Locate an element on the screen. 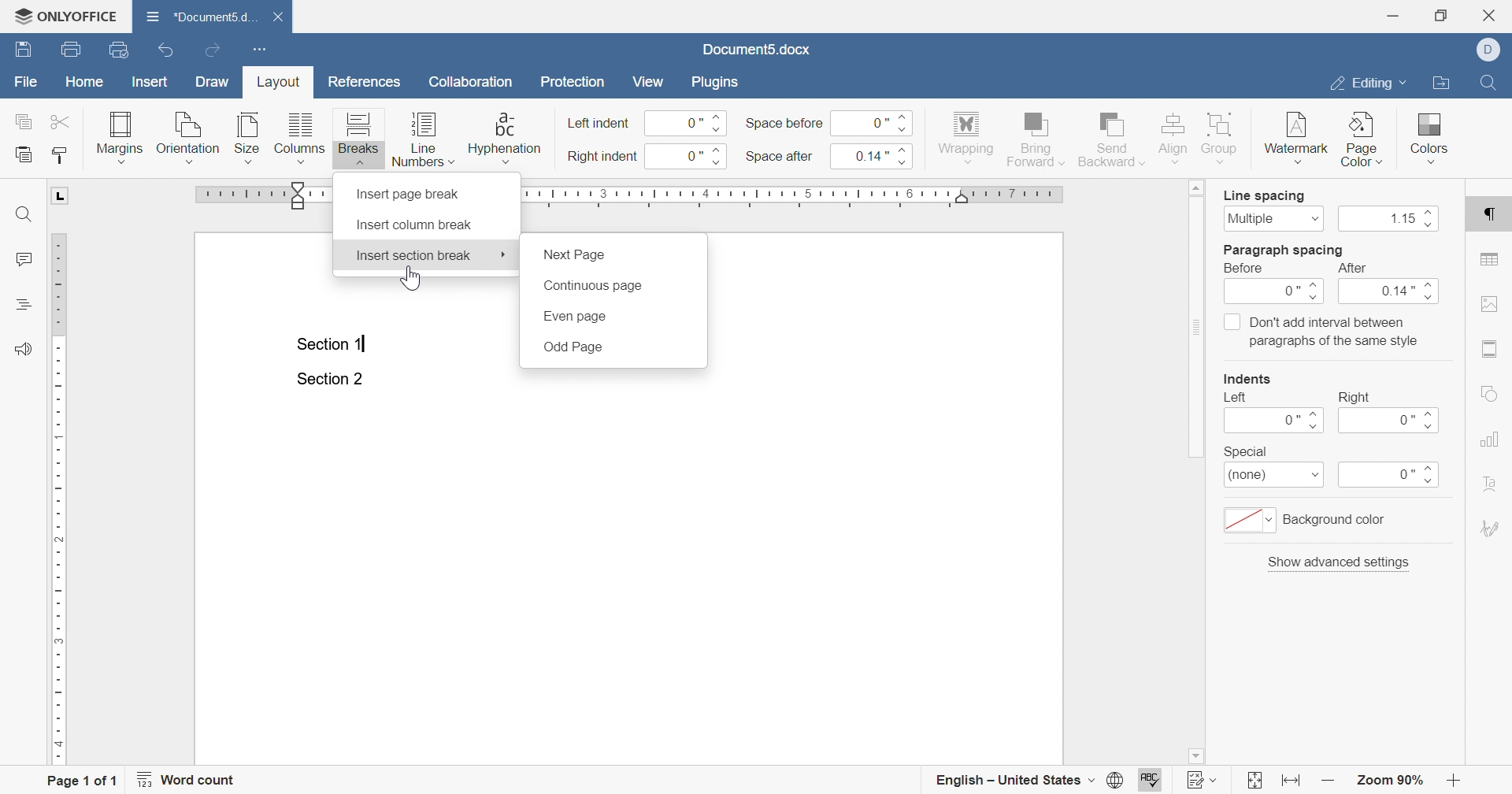 This screenshot has width=1512, height=794. ruler is located at coordinates (60, 499).